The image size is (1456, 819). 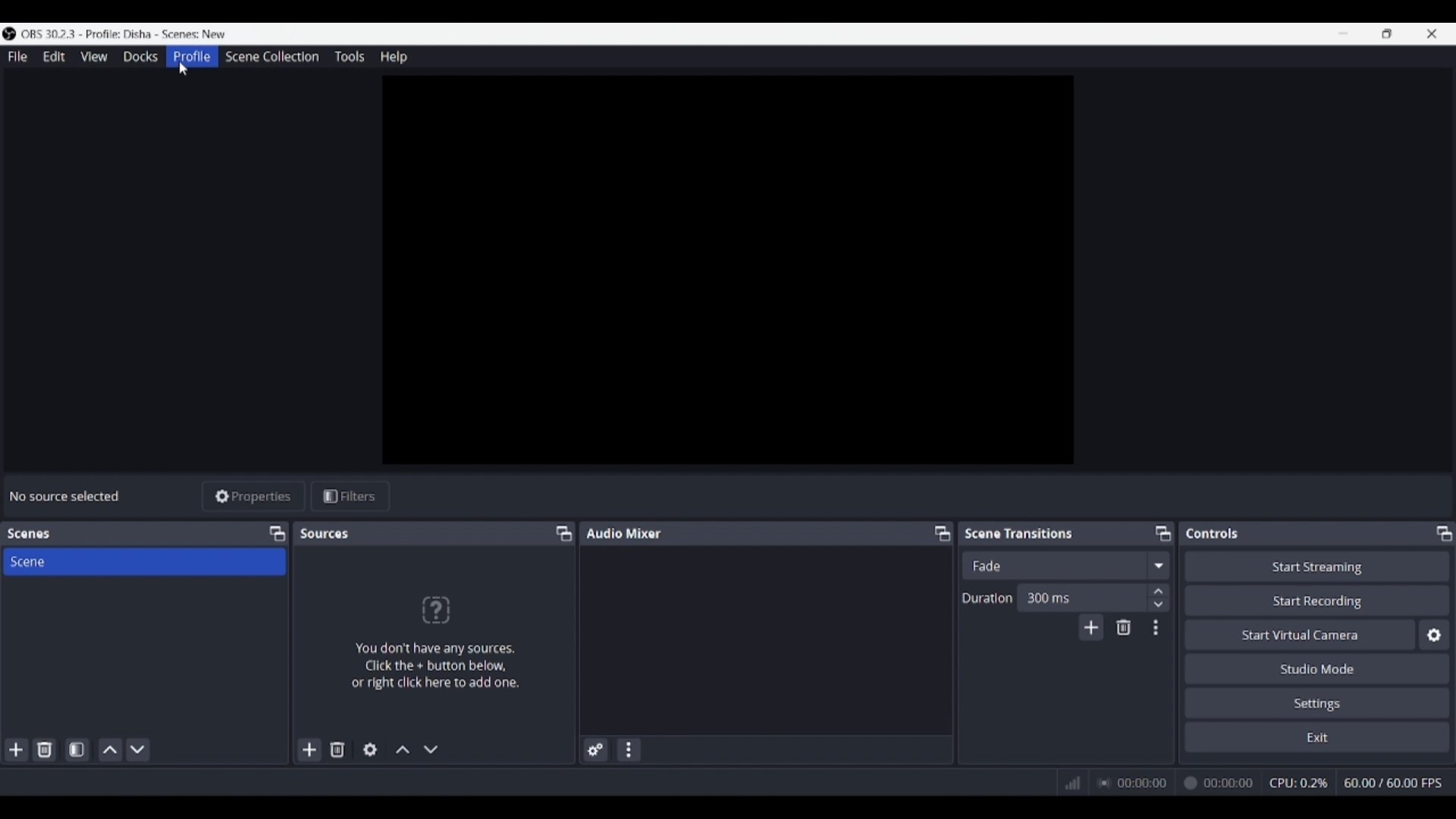 What do you see at coordinates (1394, 782) in the screenshot?
I see `30.00` at bounding box center [1394, 782].